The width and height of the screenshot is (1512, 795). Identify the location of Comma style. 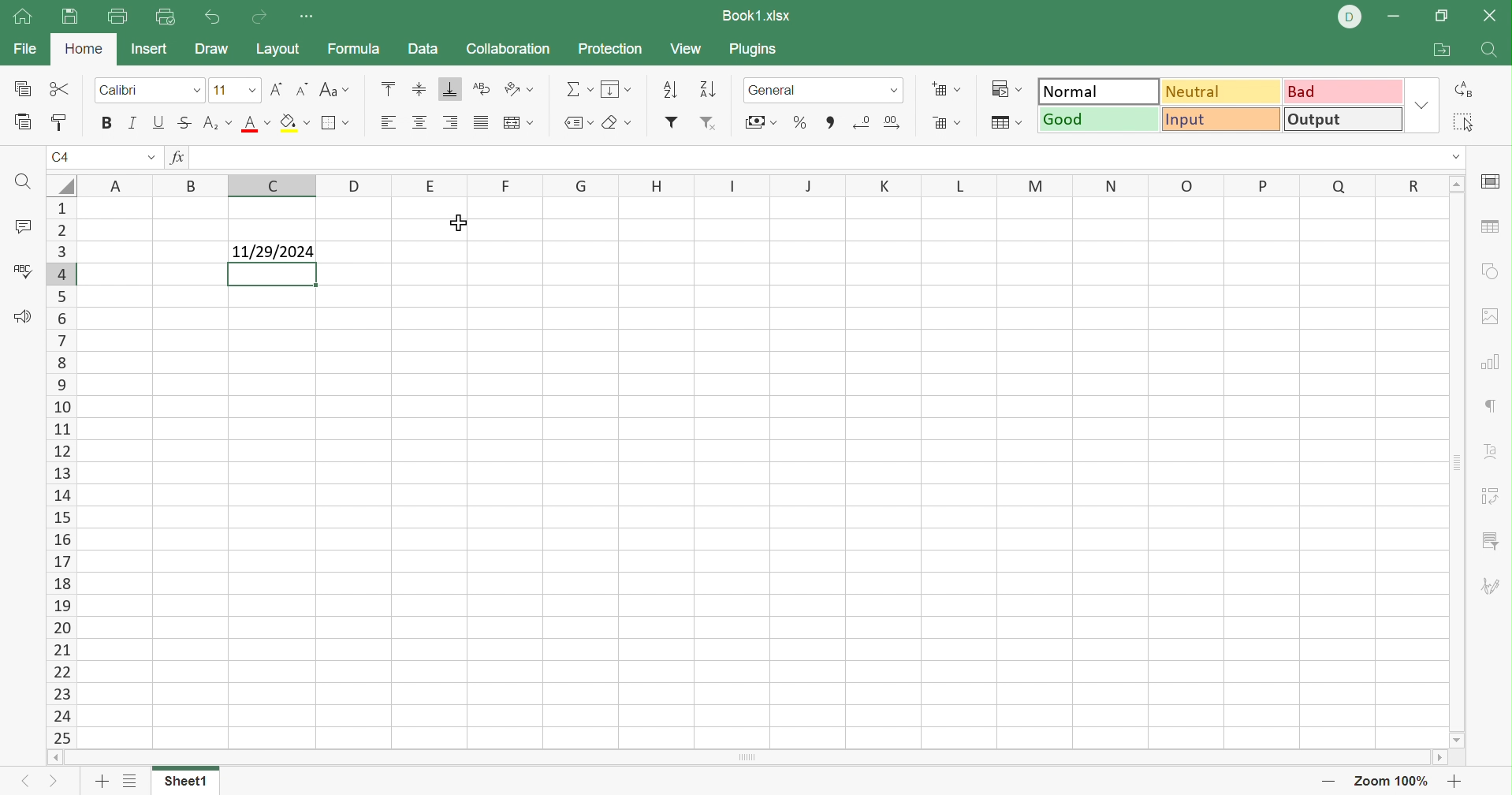
(832, 122).